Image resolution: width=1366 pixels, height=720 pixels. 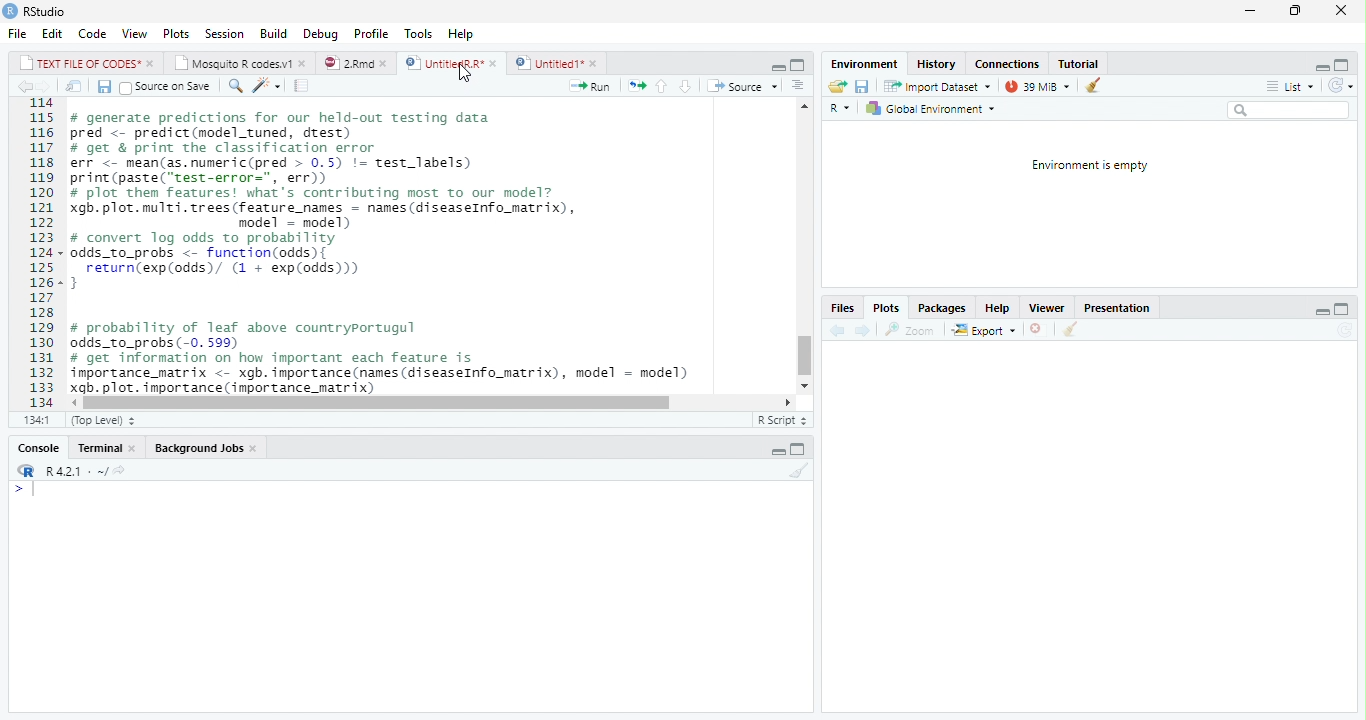 What do you see at coordinates (164, 87) in the screenshot?
I see `Source on Save` at bounding box center [164, 87].